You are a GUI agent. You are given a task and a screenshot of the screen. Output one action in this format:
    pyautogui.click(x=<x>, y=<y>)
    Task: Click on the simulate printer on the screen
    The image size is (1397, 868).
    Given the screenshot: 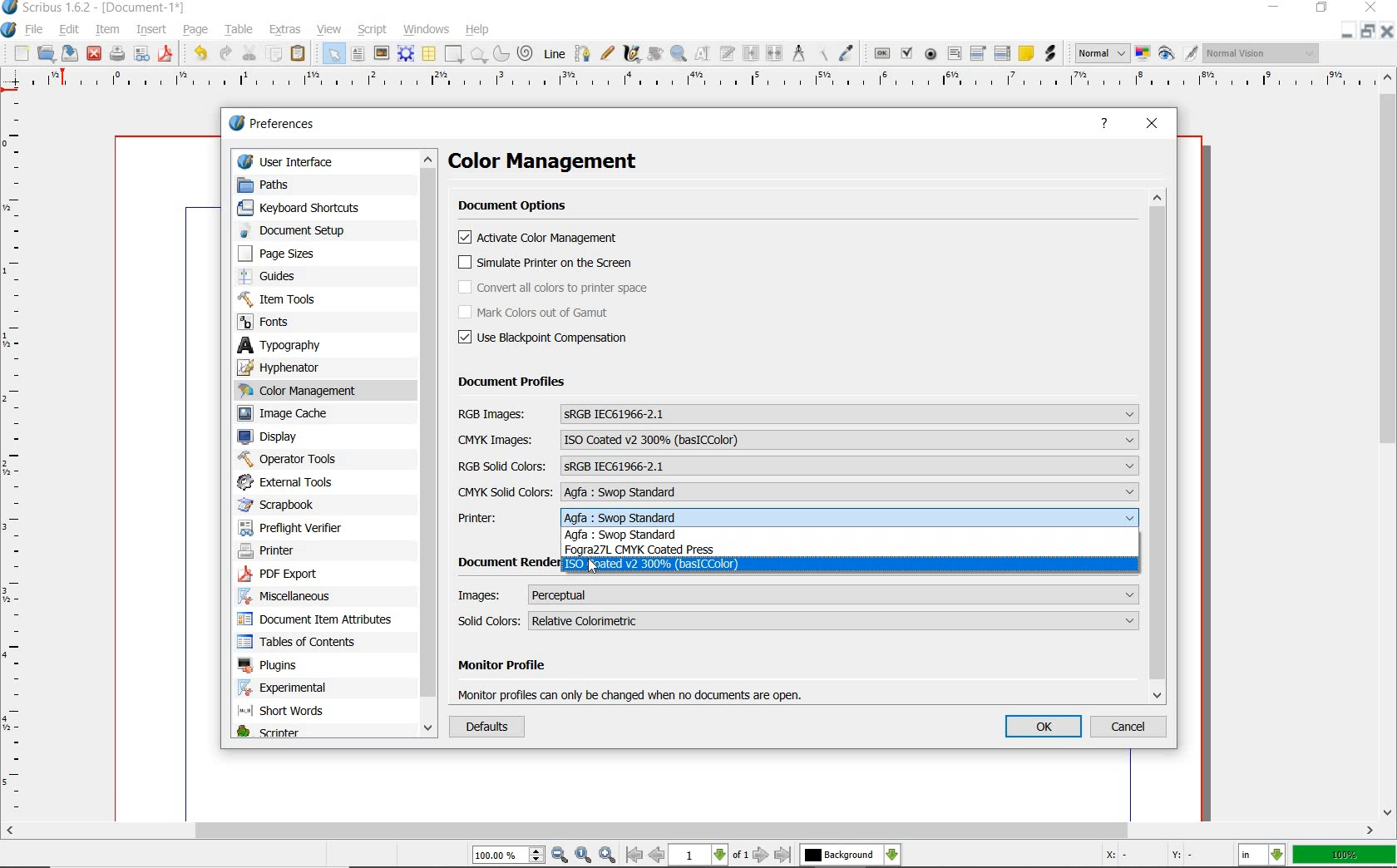 What is the action you would take?
    pyautogui.click(x=546, y=264)
    